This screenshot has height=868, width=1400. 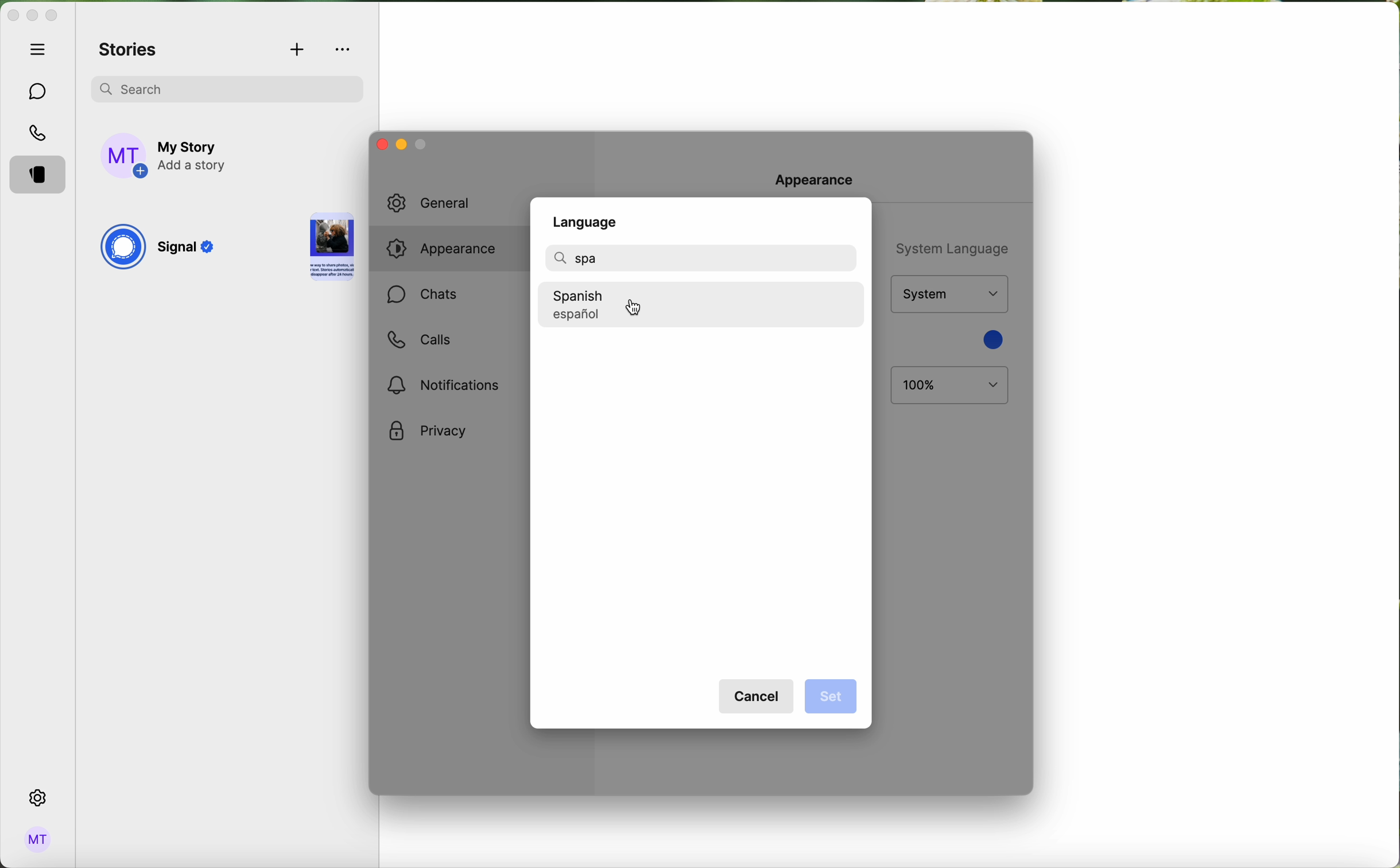 I want to click on spa, so click(x=579, y=257).